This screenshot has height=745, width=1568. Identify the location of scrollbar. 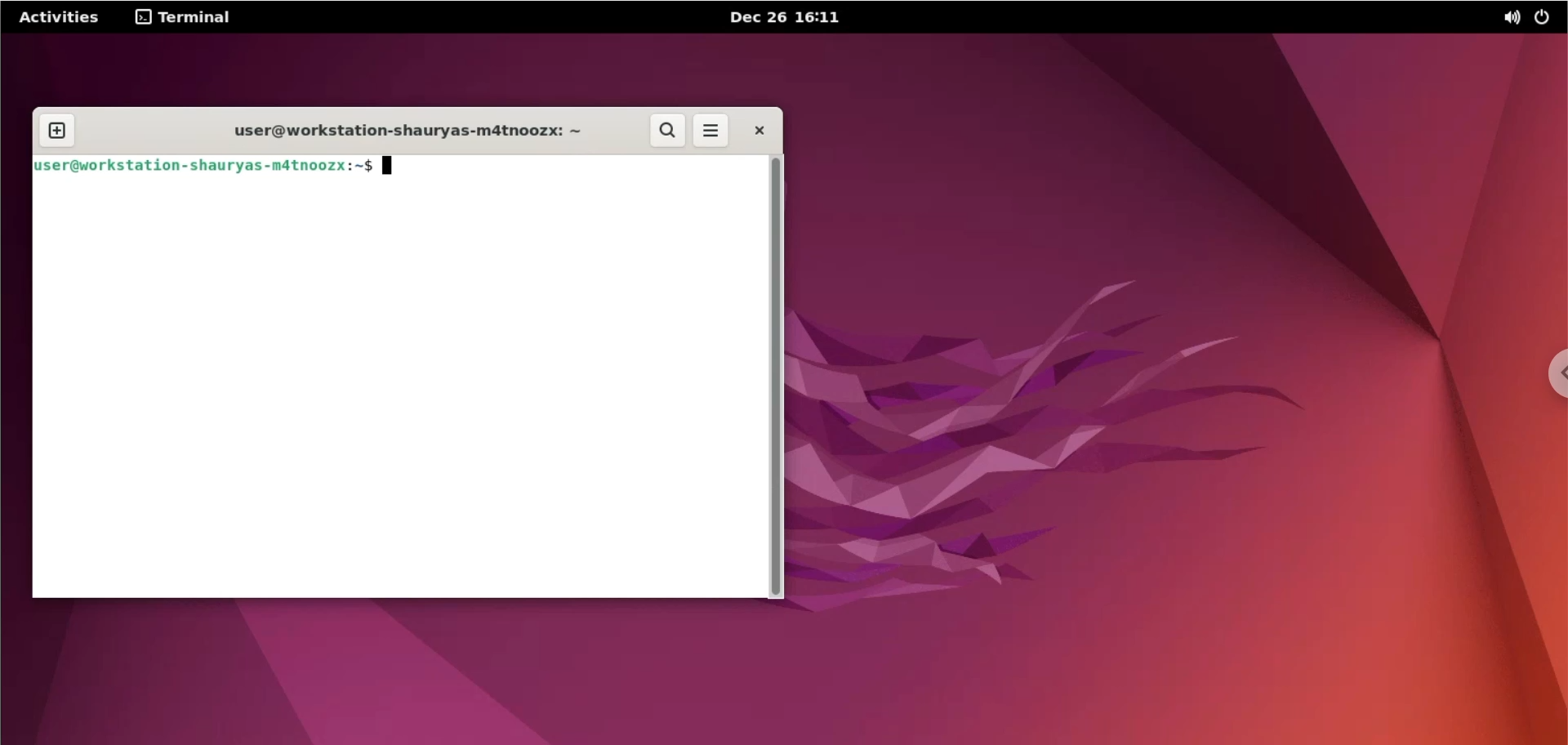
(773, 377).